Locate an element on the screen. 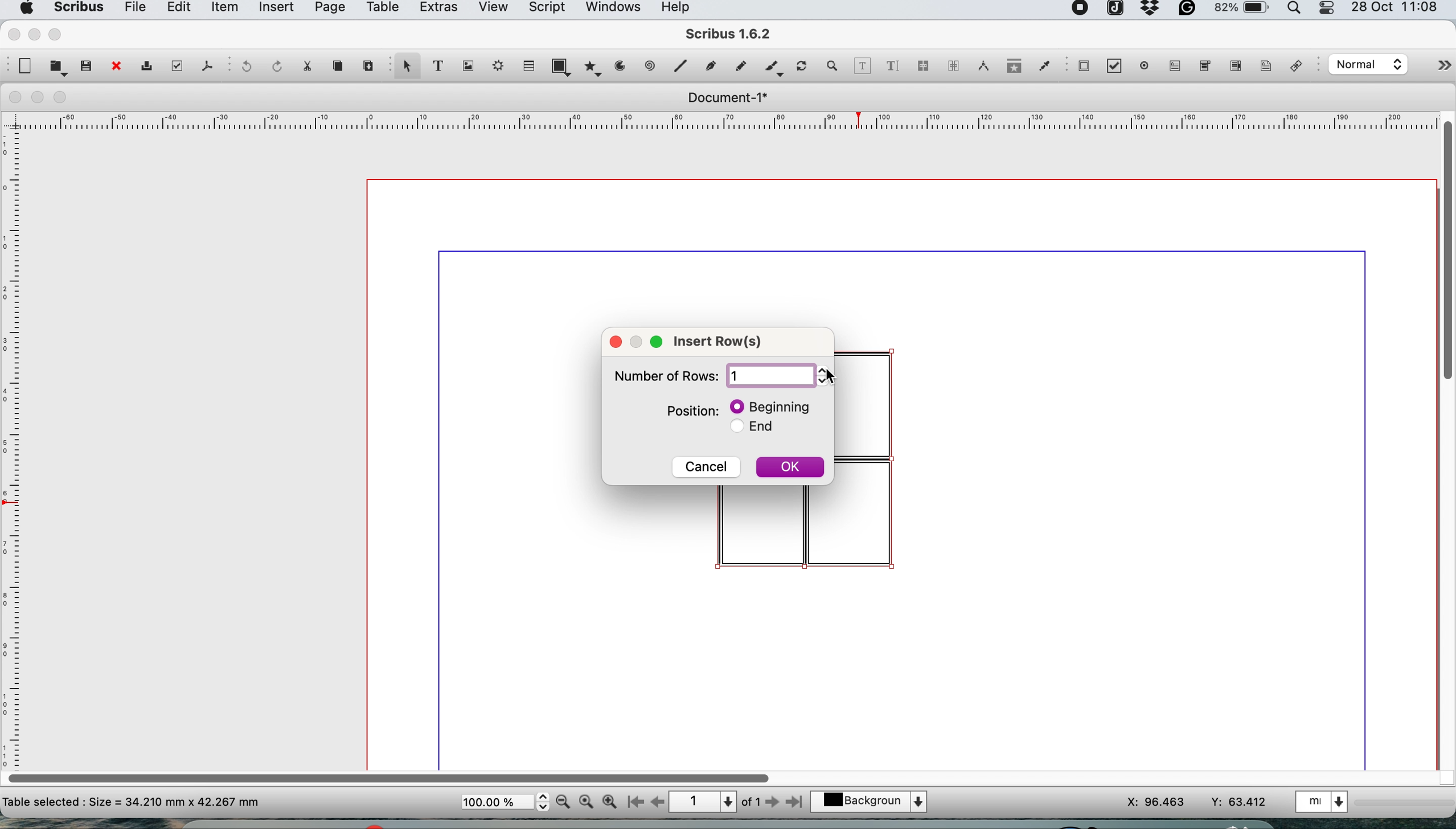 This screenshot has height=829, width=1456. new is located at coordinates (23, 66).